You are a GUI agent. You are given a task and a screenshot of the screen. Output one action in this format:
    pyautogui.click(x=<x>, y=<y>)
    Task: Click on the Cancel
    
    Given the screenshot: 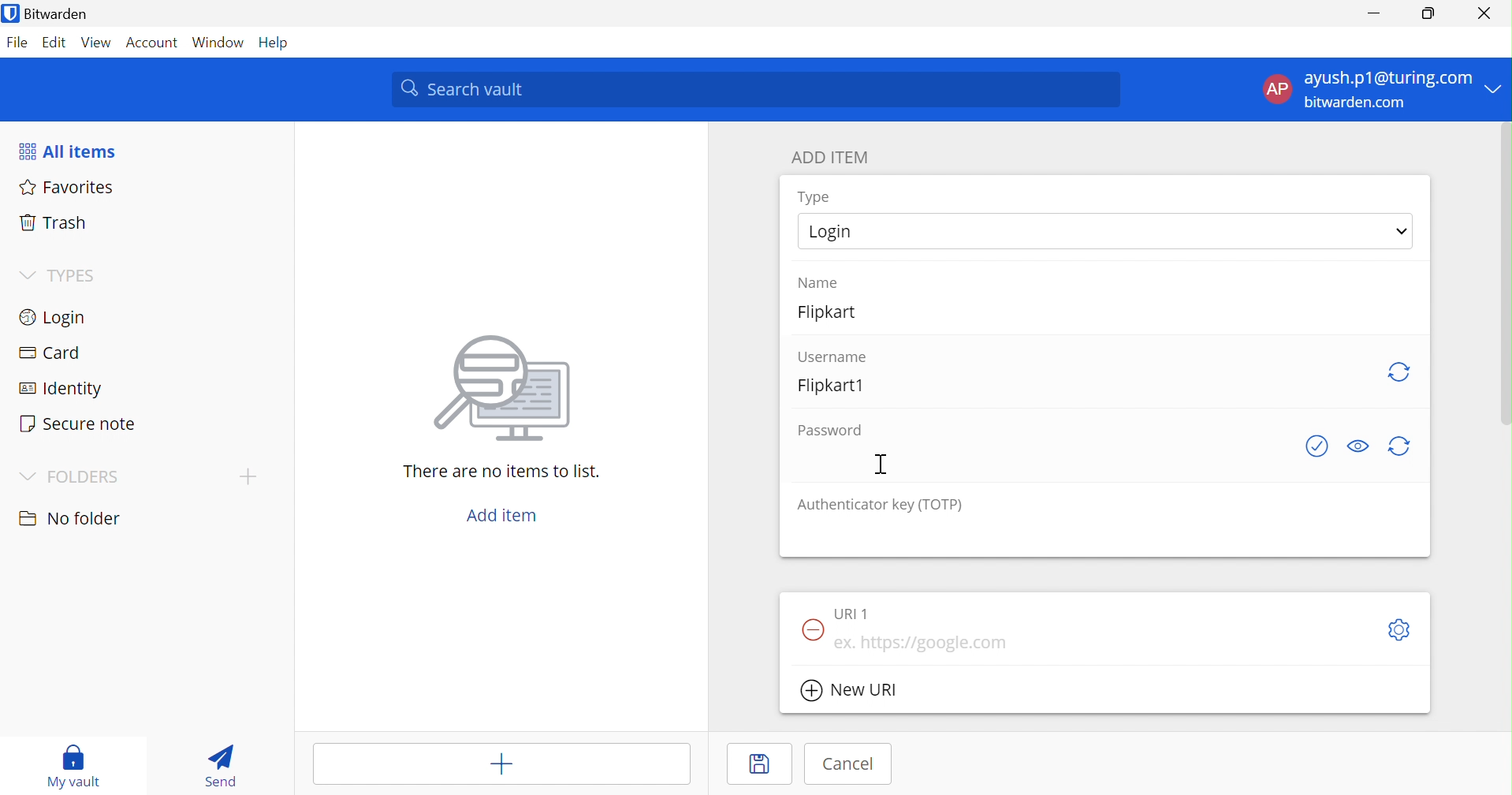 What is the action you would take?
    pyautogui.click(x=849, y=763)
    